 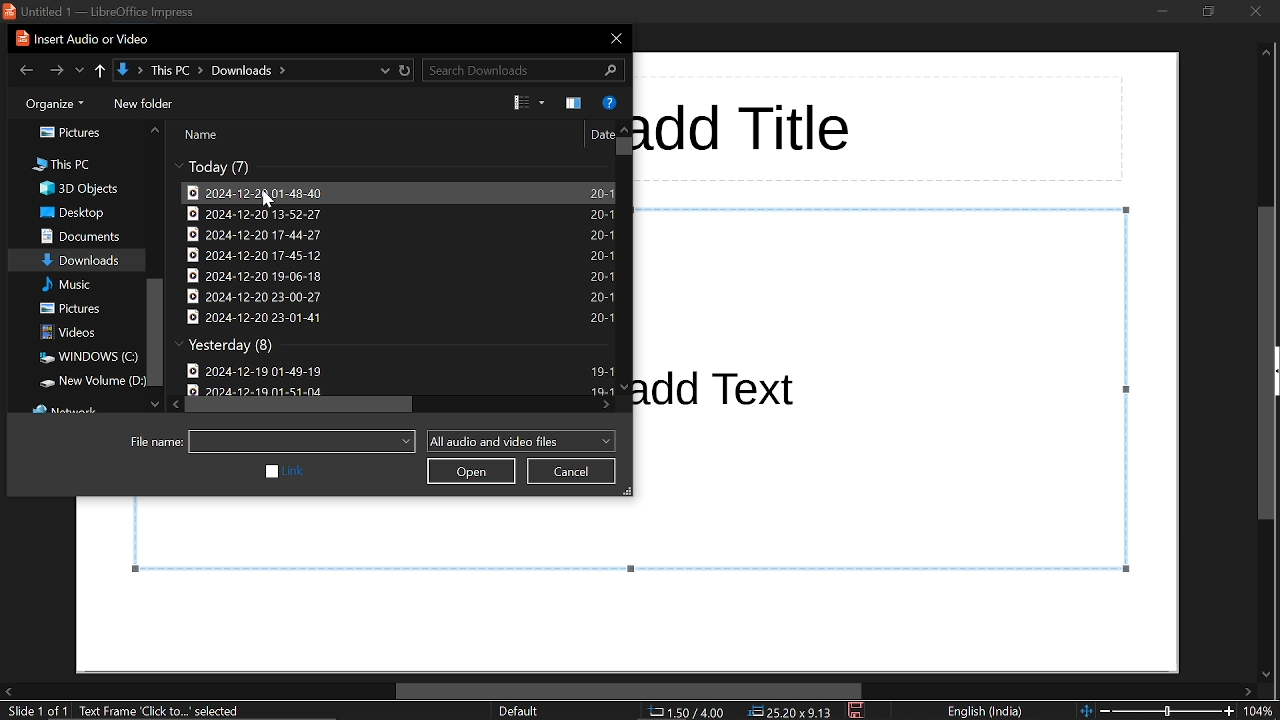 I want to click on move left, so click(x=176, y=403).